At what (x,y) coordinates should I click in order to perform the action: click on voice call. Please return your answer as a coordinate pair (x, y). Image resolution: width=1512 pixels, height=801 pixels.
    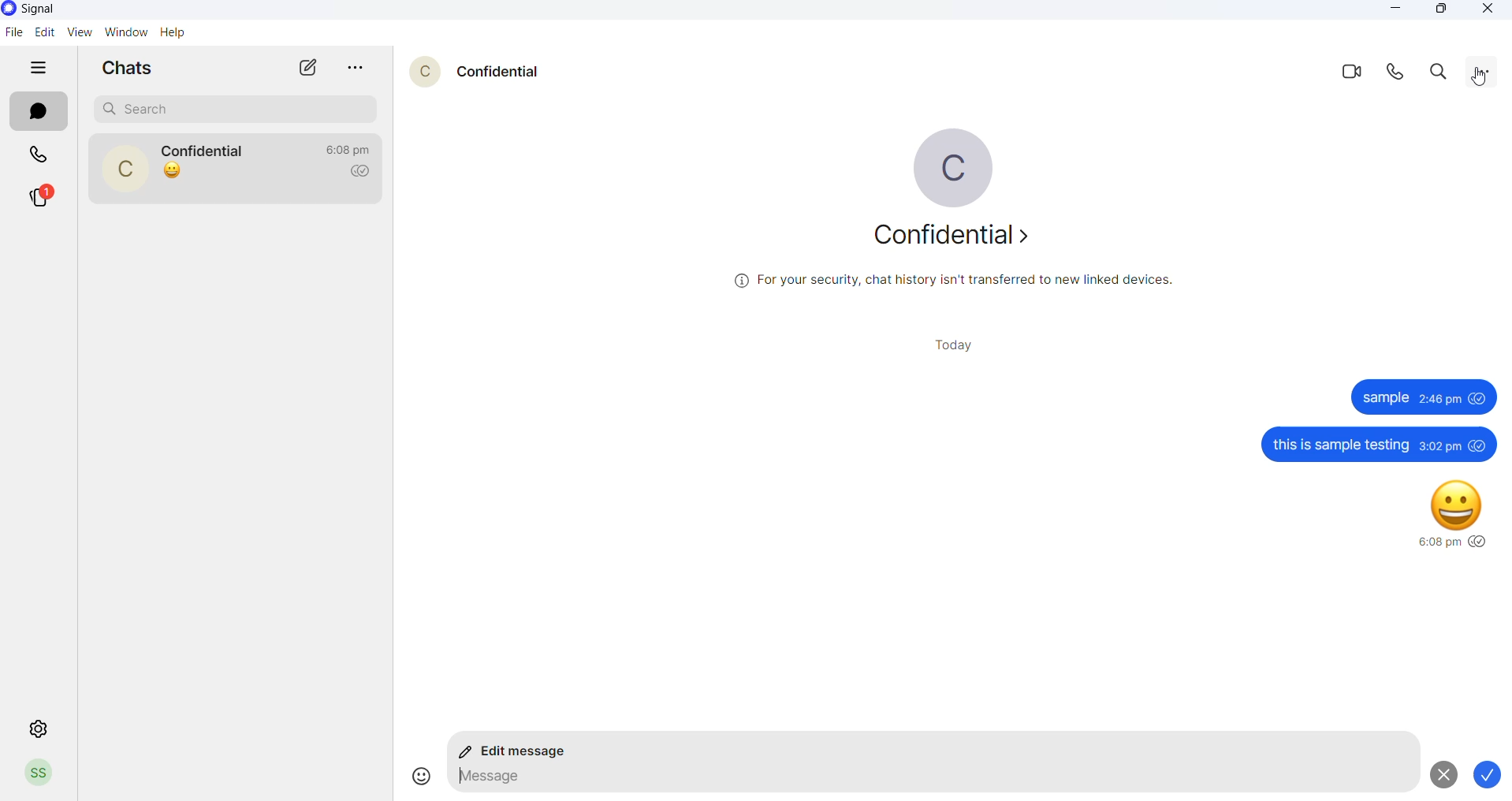
    Looking at the image, I should click on (1391, 74).